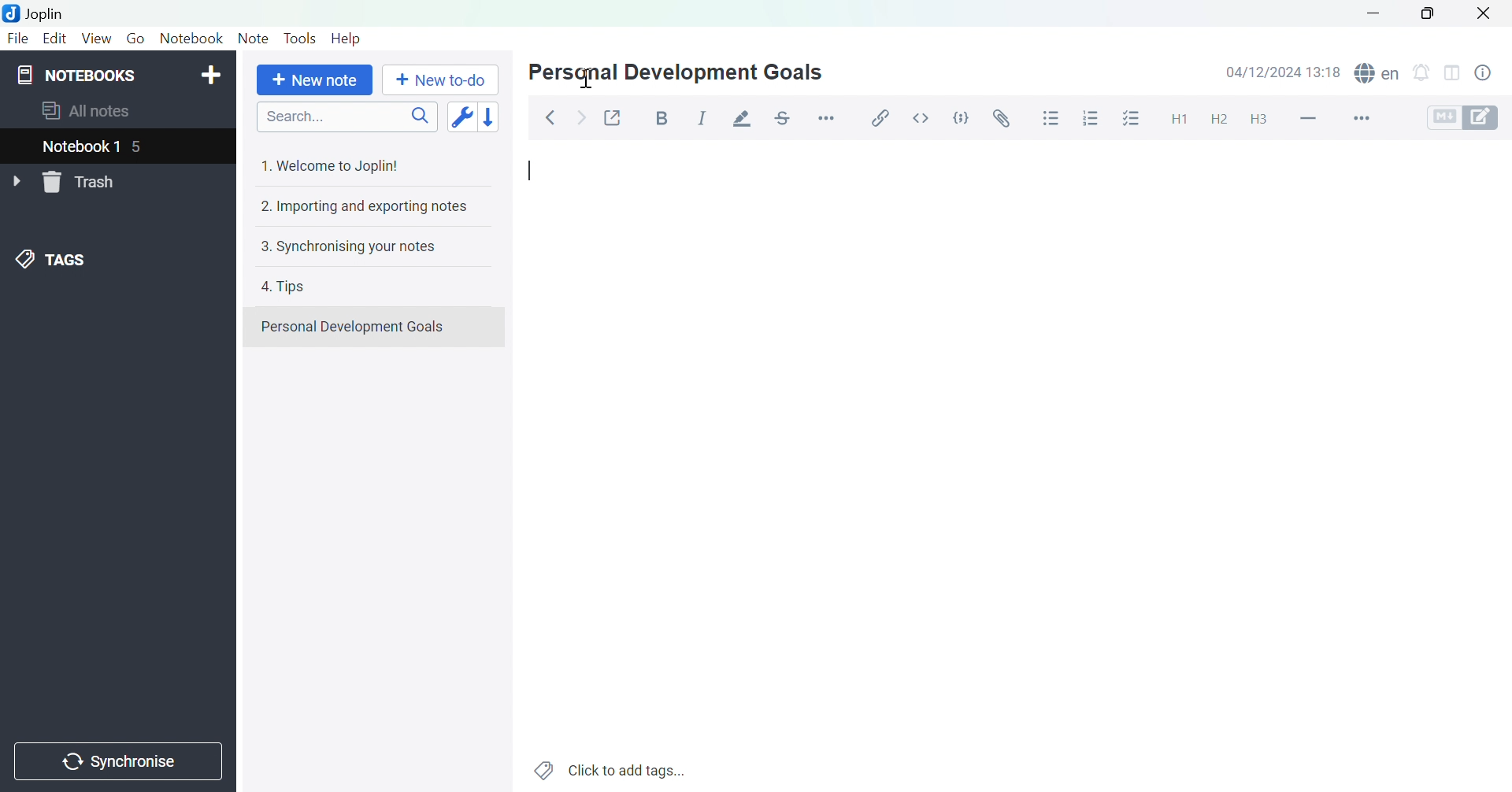 The height and width of the screenshot is (792, 1512). Describe the element at coordinates (212, 75) in the screenshot. I see `Add notebook` at that location.